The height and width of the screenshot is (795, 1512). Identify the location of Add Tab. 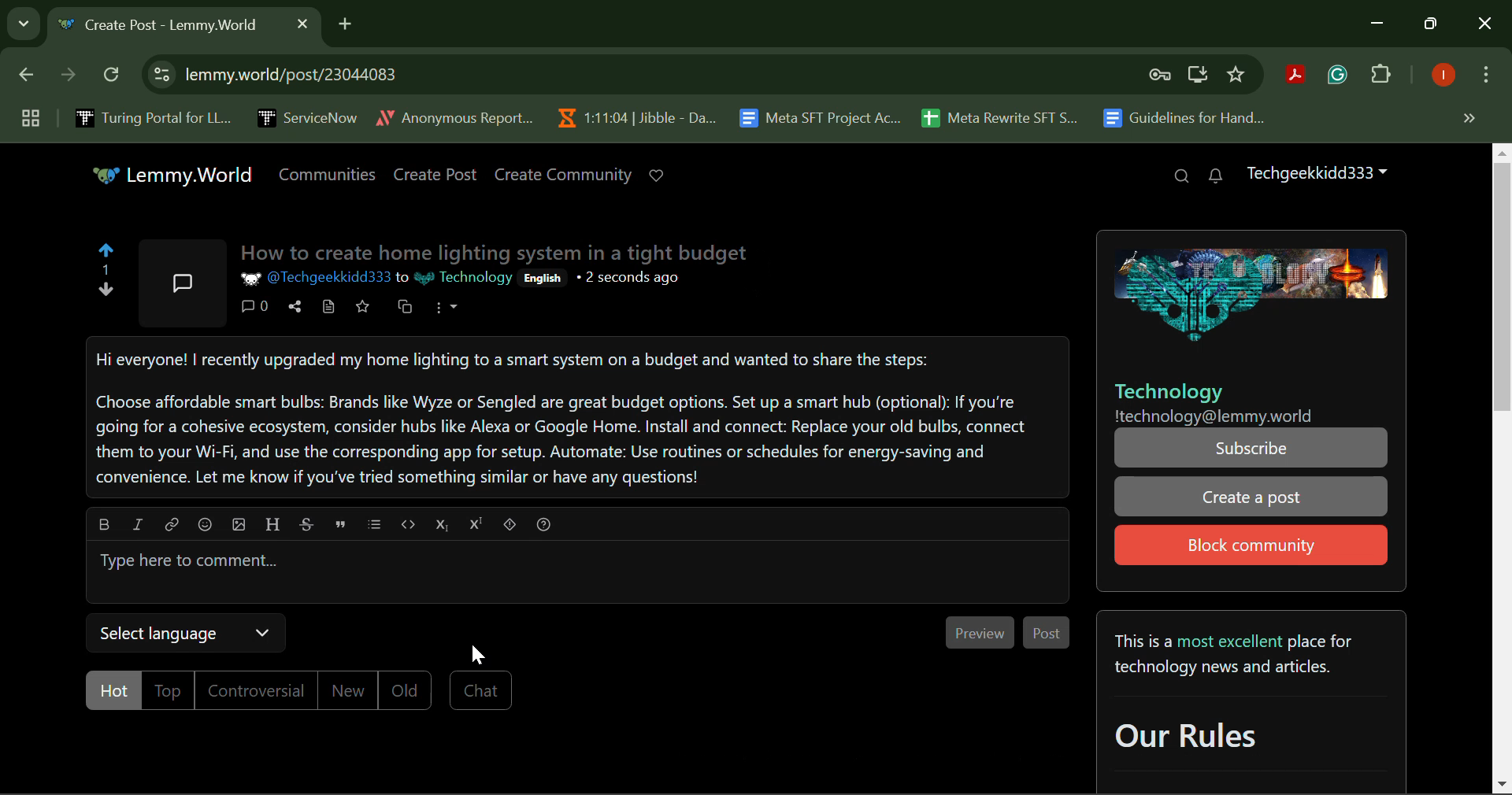
(345, 21).